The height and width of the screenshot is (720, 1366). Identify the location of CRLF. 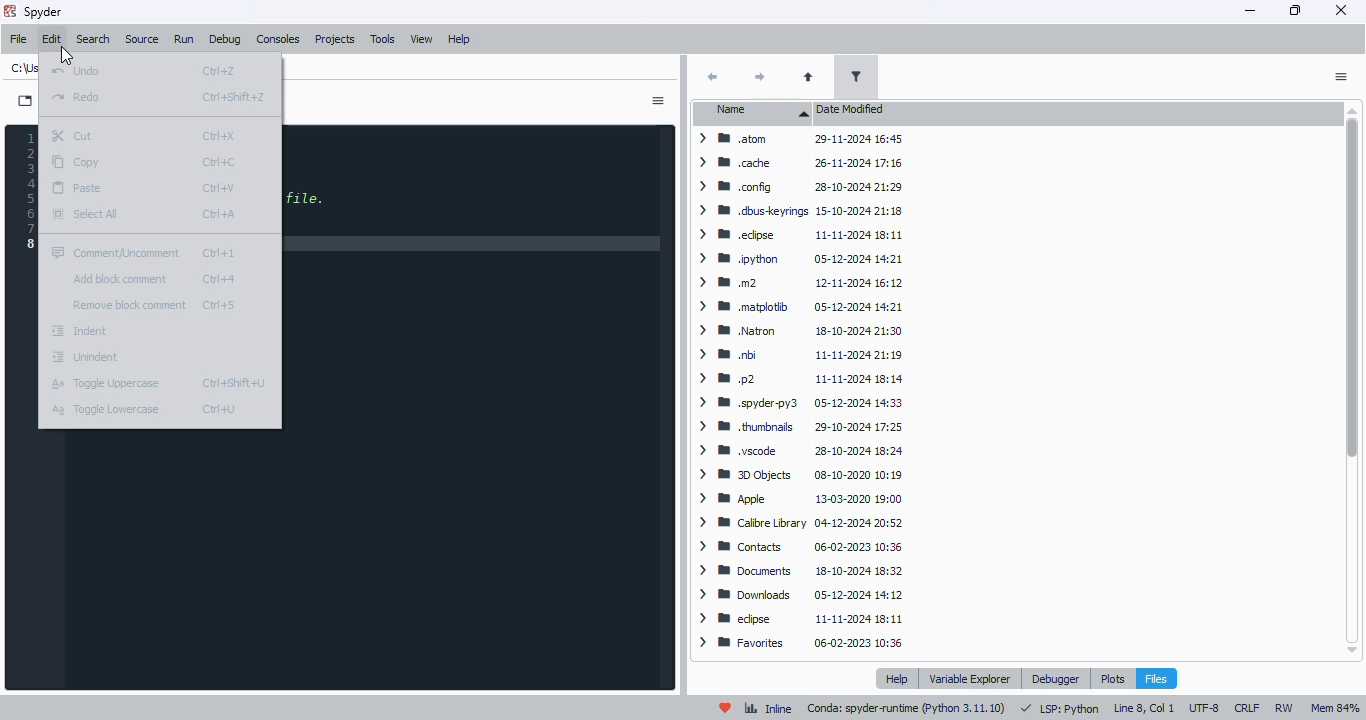
(1248, 708).